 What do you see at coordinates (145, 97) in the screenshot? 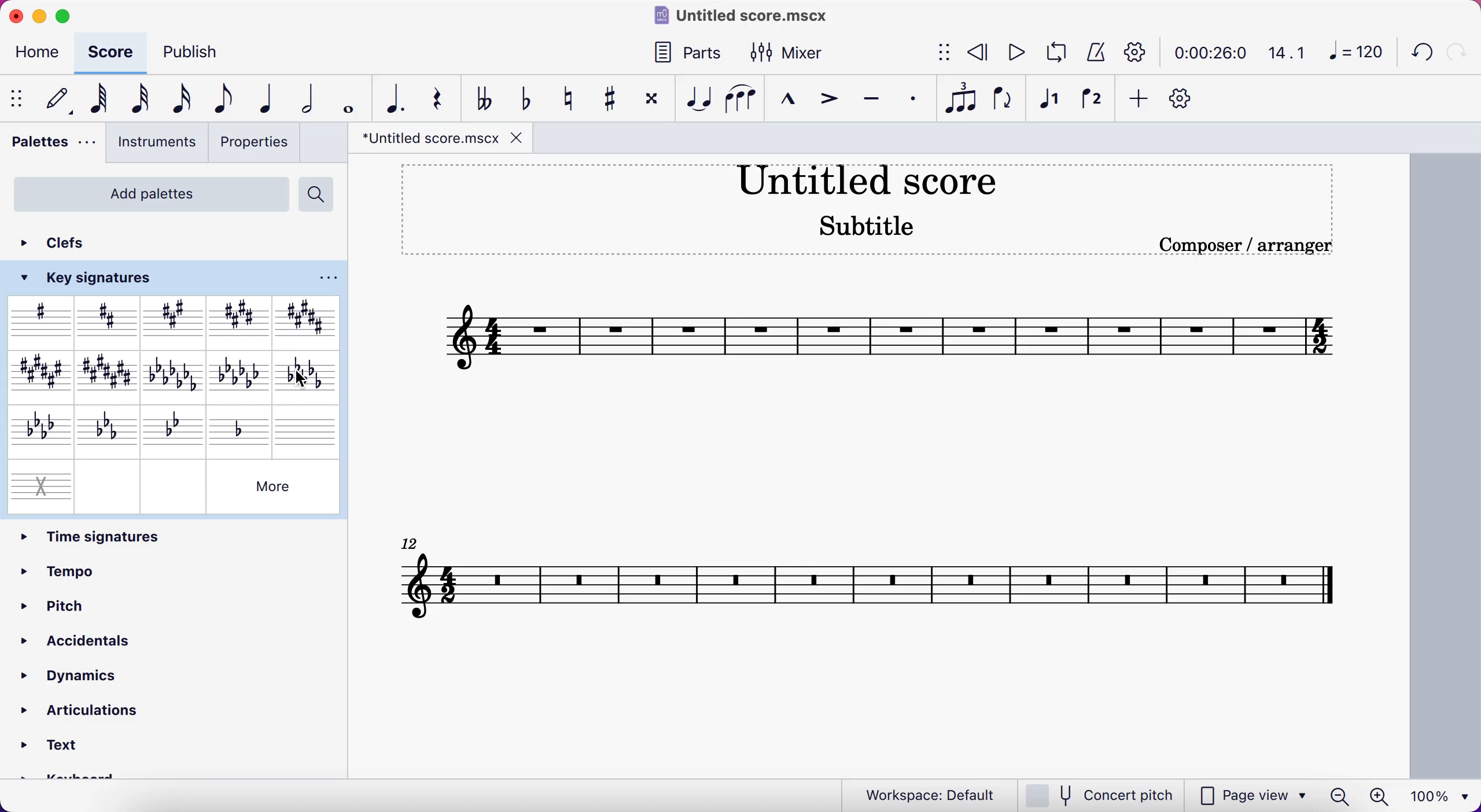
I see `32nd note` at bounding box center [145, 97].